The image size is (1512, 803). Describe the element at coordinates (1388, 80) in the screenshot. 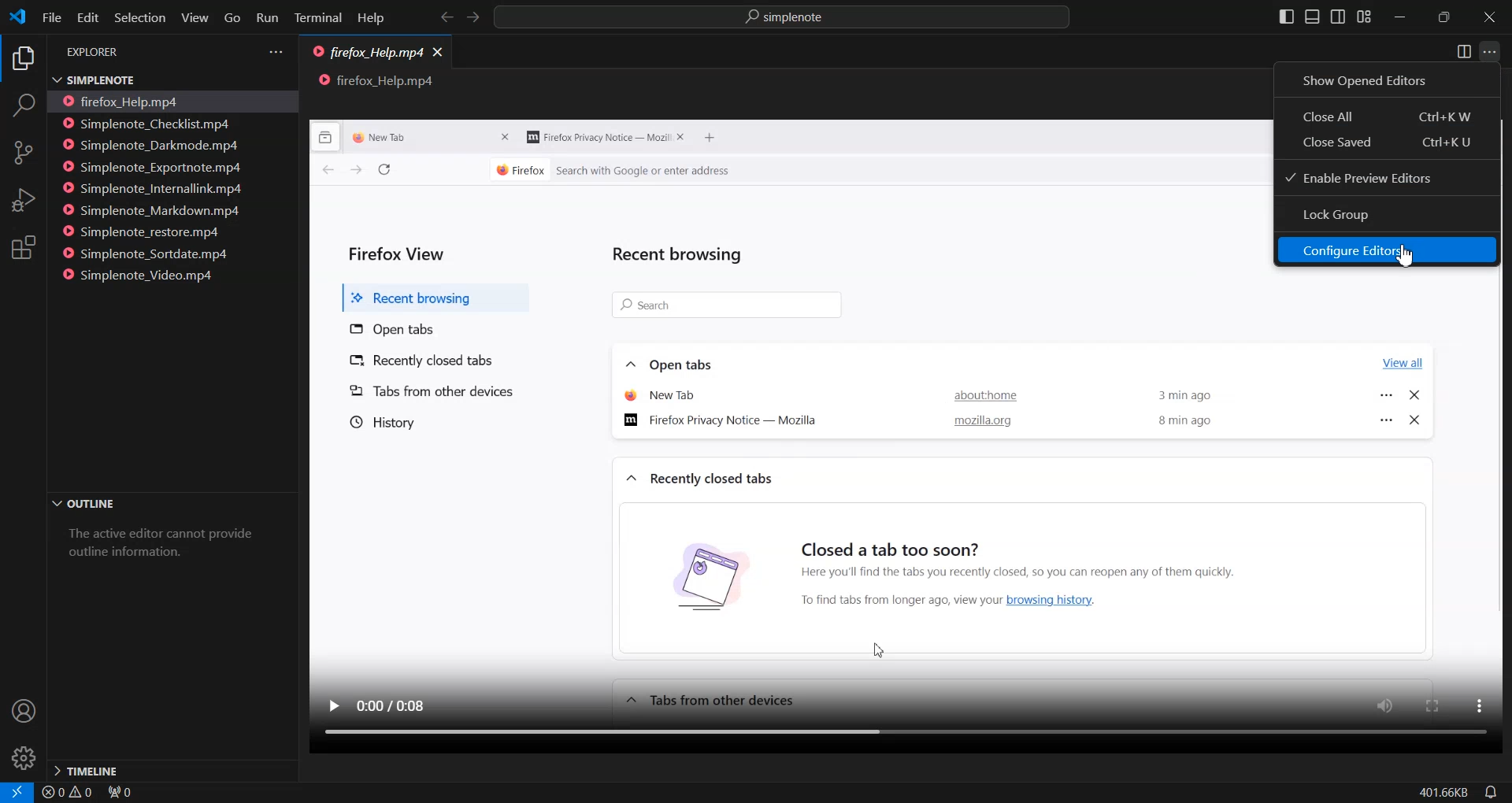

I see `Show Opened editors` at that location.